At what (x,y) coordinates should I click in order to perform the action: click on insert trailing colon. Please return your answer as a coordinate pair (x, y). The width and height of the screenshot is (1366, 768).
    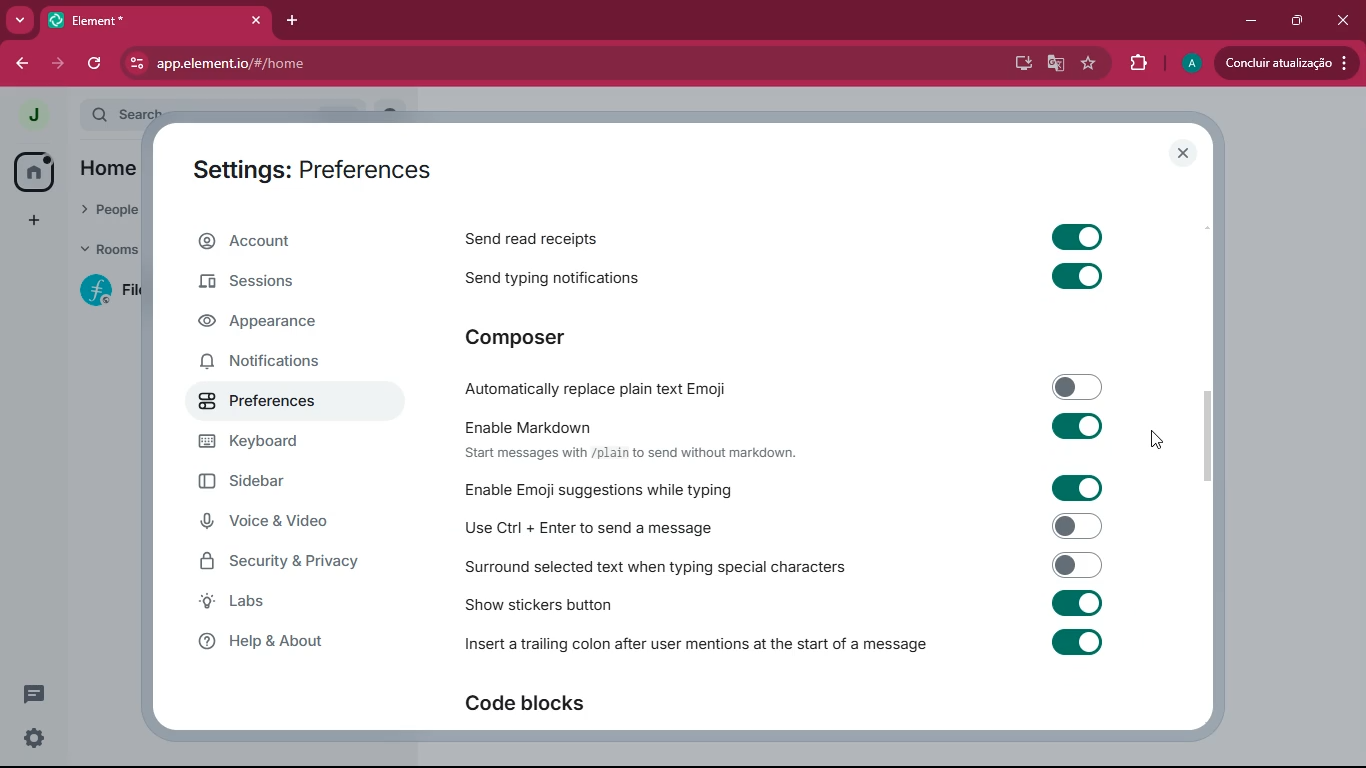
    Looking at the image, I should click on (694, 648).